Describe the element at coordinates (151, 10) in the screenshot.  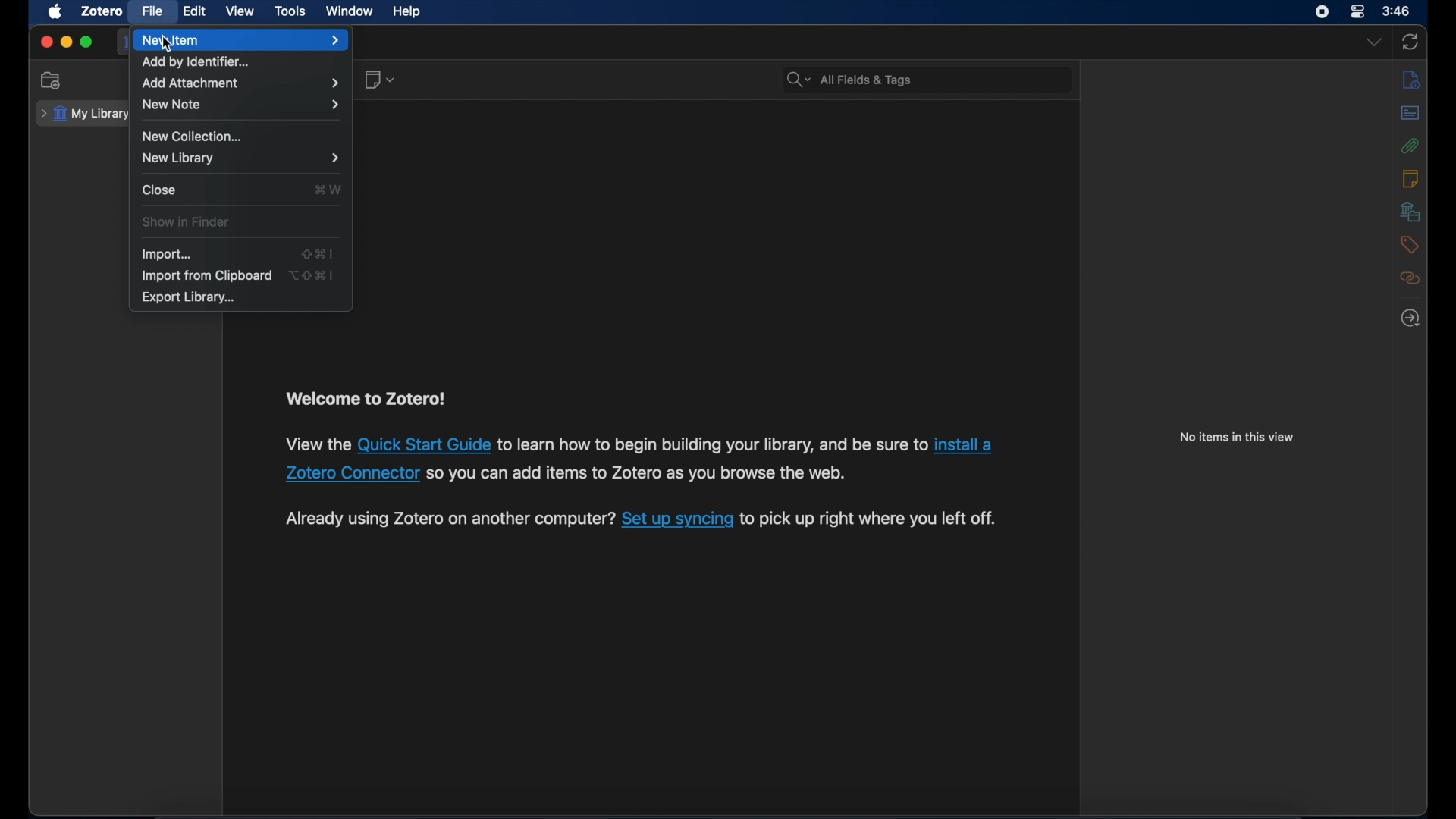
I see `file` at that location.